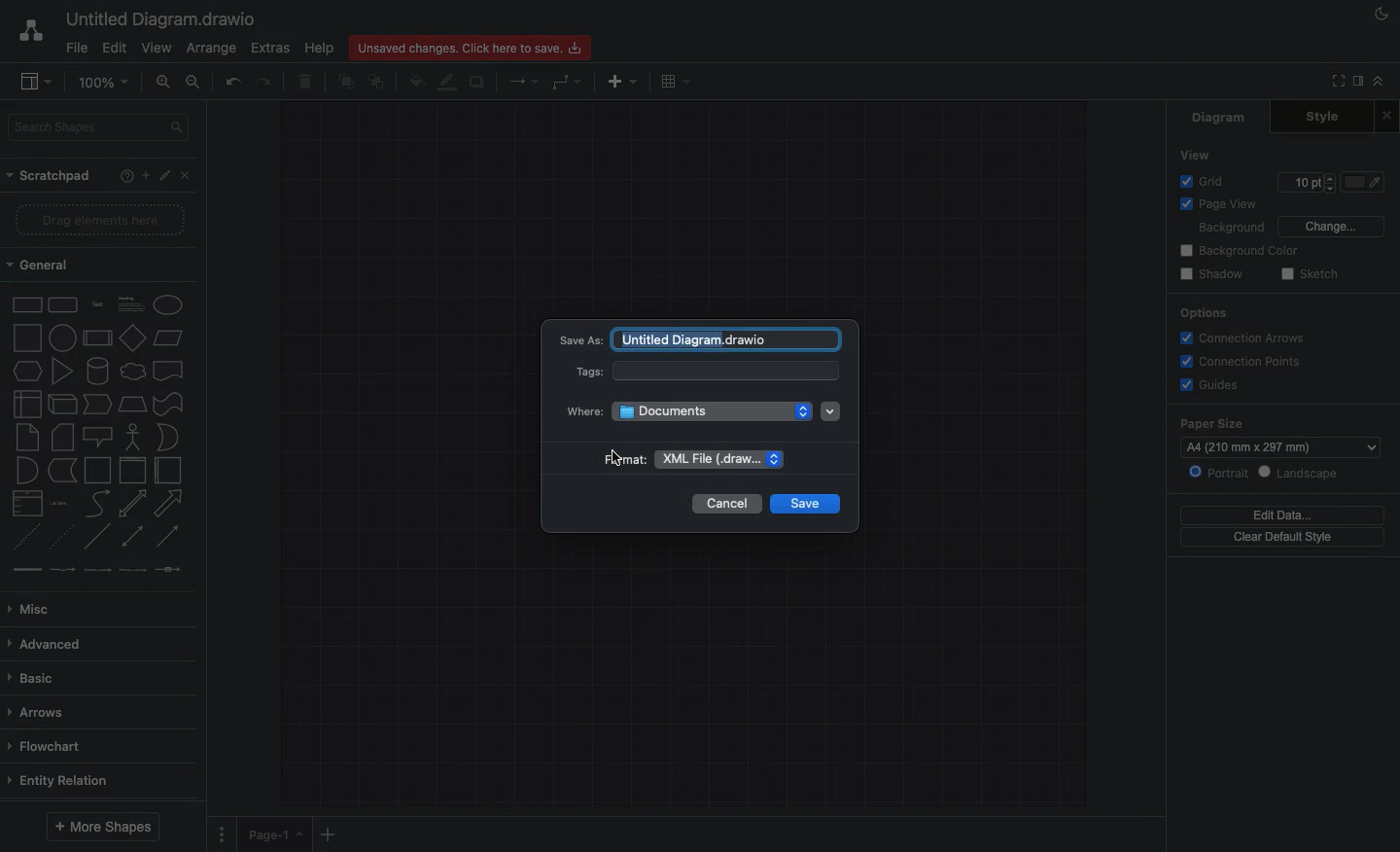  Describe the element at coordinates (449, 83) in the screenshot. I see `Line color` at that location.